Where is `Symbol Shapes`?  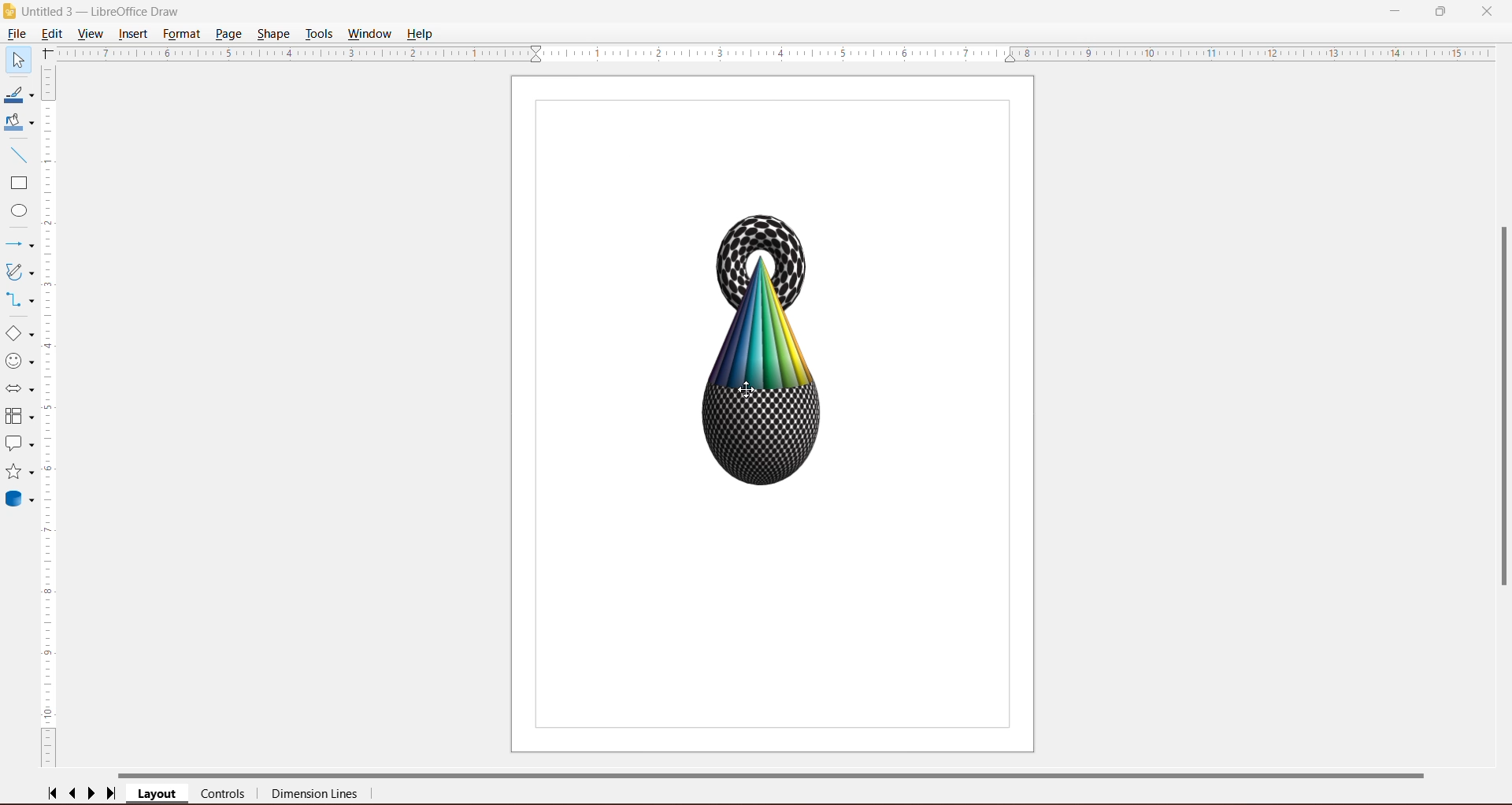
Symbol Shapes is located at coordinates (20, 361).